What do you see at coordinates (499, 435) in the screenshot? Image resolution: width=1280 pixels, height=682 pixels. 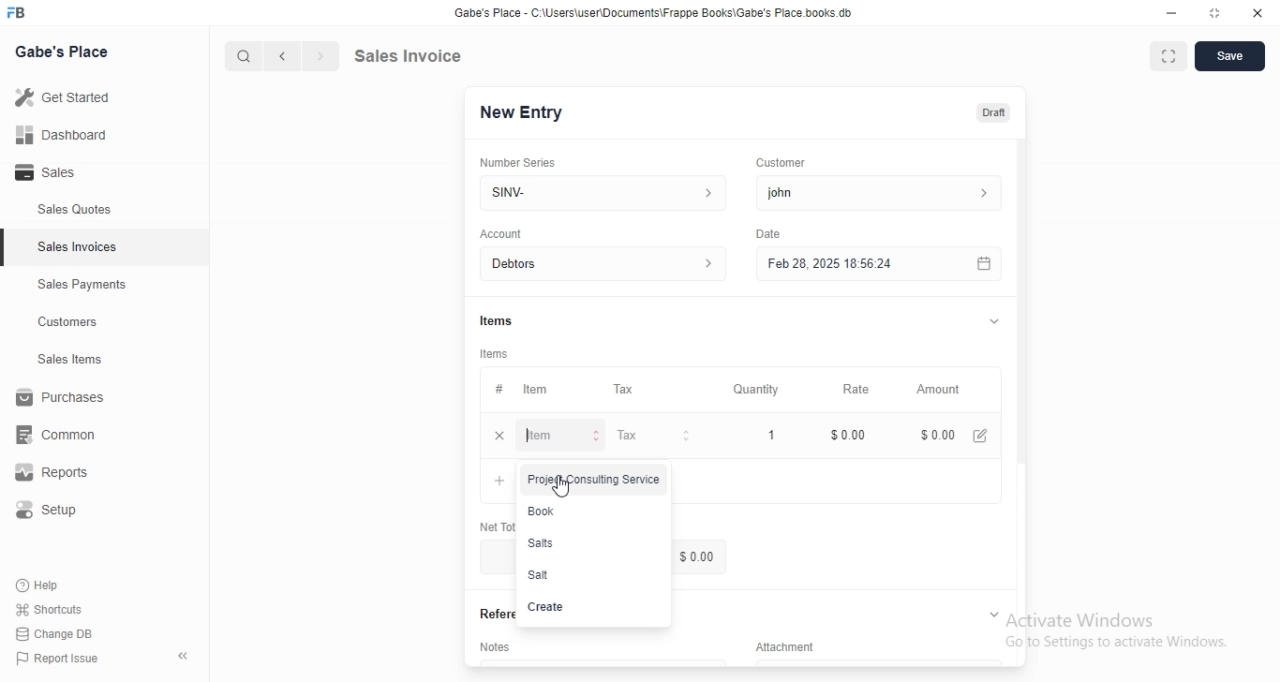 I see `delete` at bounding box center [499, 435].